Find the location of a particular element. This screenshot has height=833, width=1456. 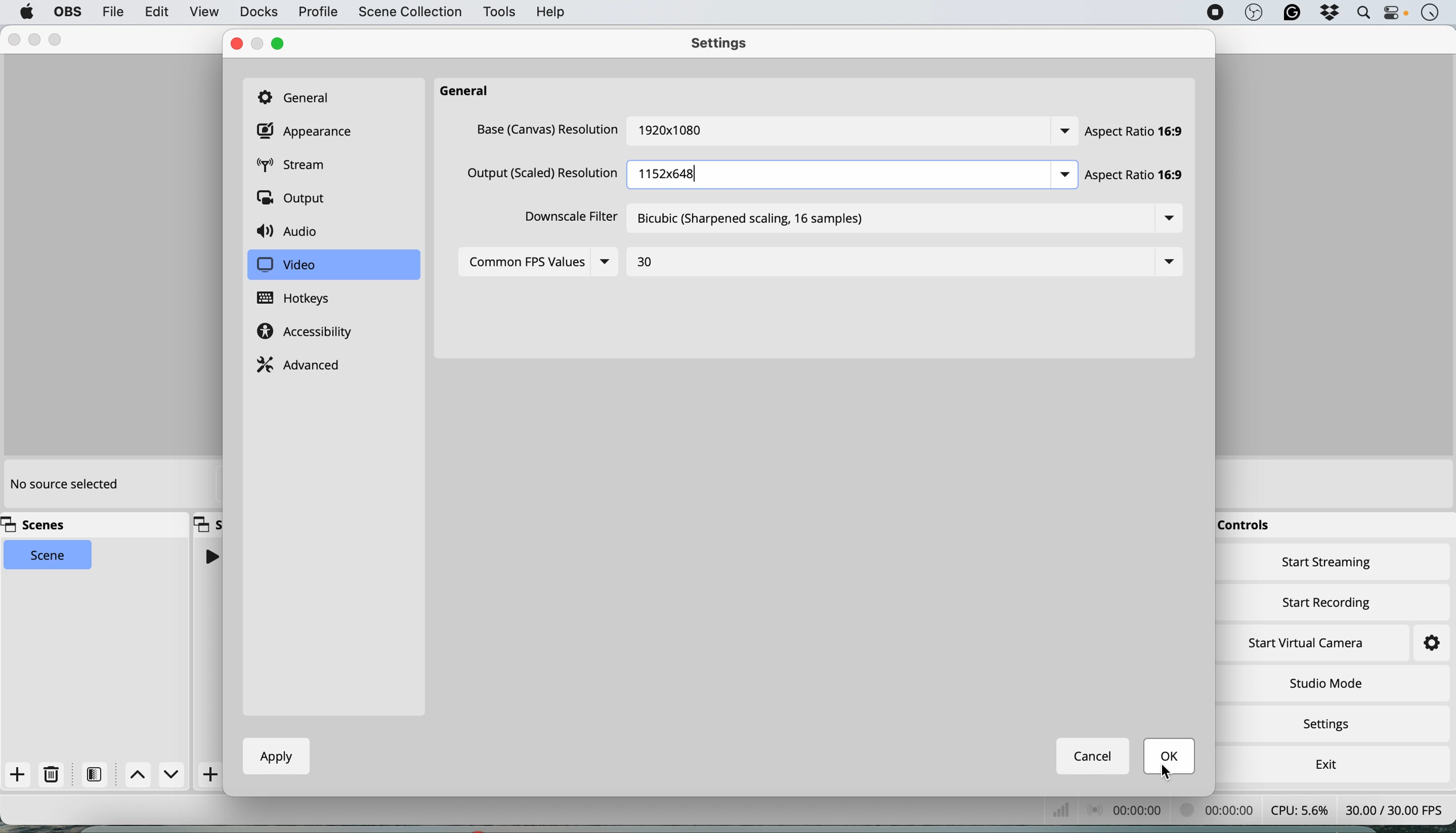

start streaming is located at coordinates (1327, 565).